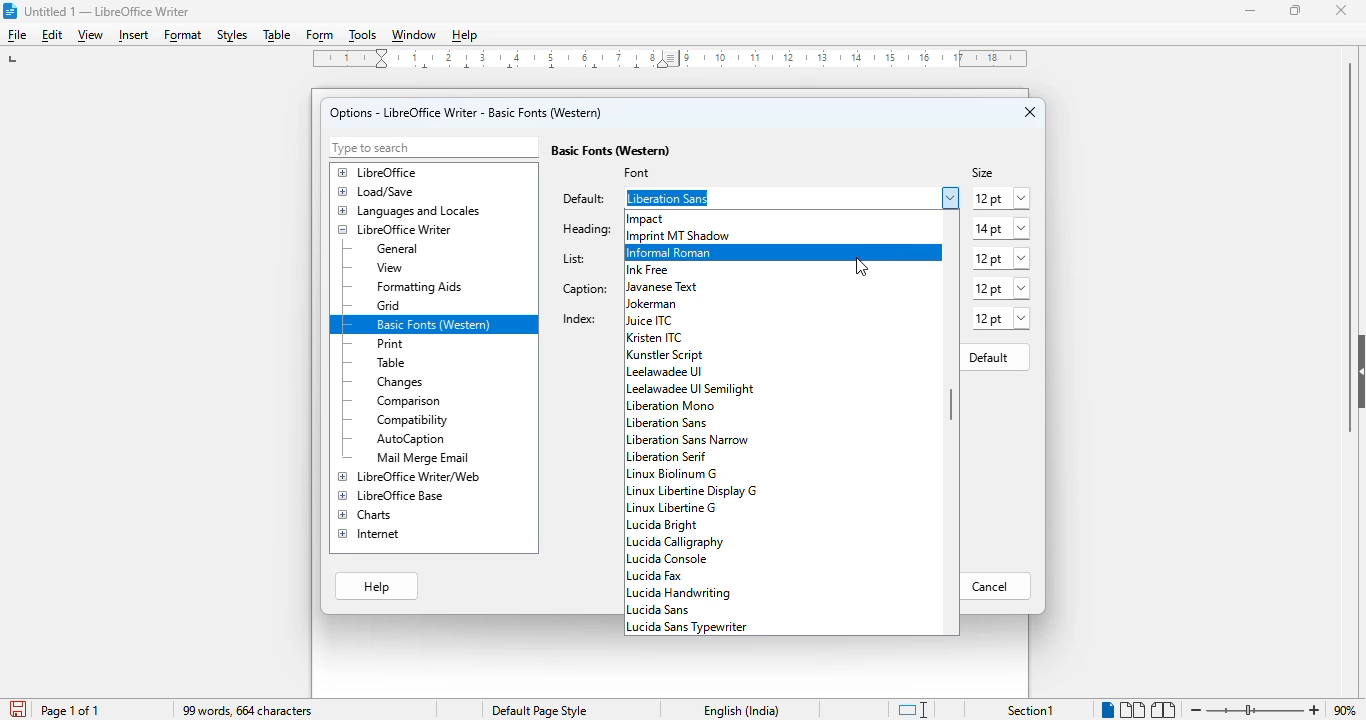 The width and height of the screenshot is (1366, 720). What do you see at coordinates (10, 11) in the screenshot?
I see `logo` at bounding box center [10, 11].